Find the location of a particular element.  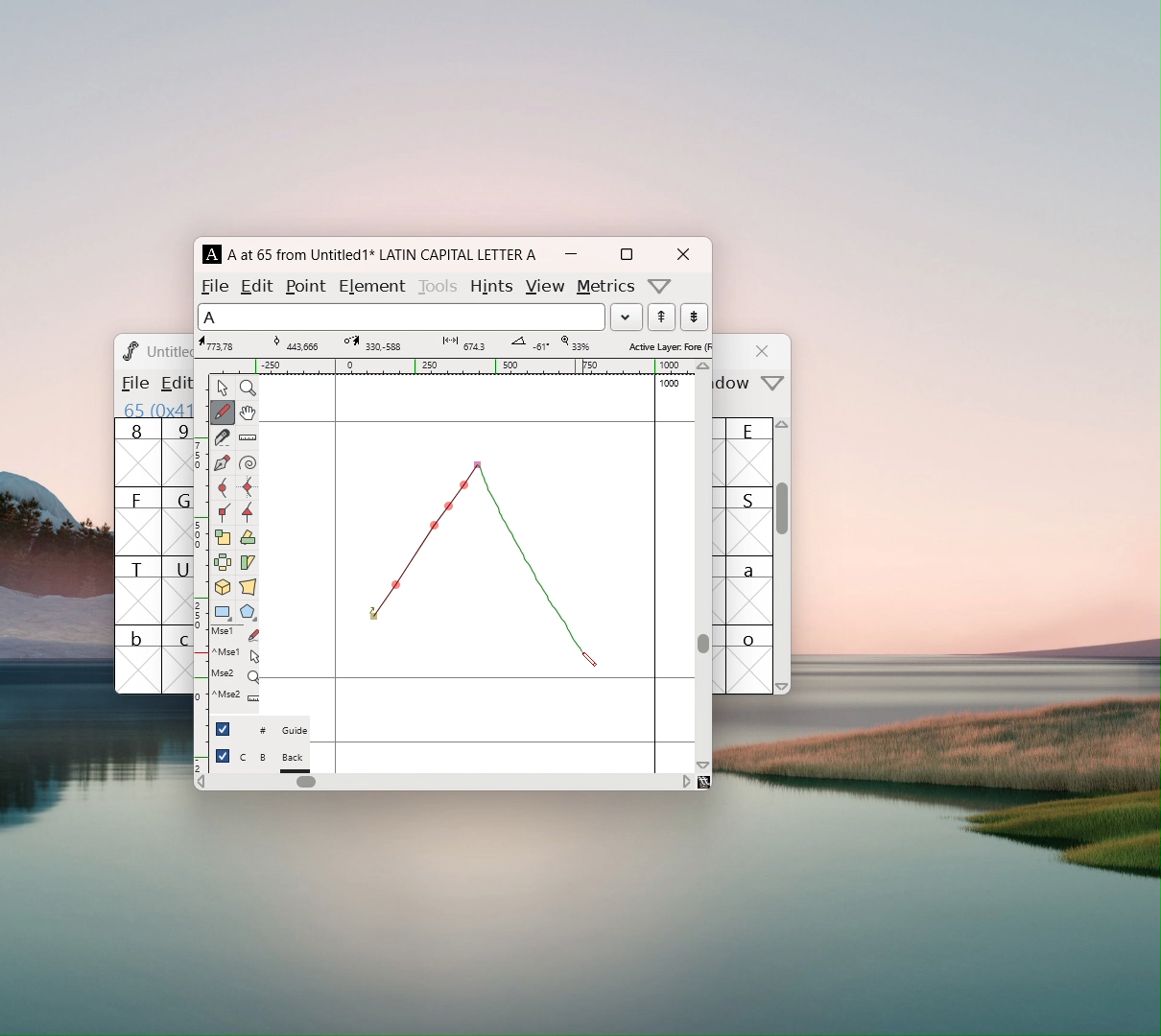

add a tangent point is located at coordinates (247, 512).